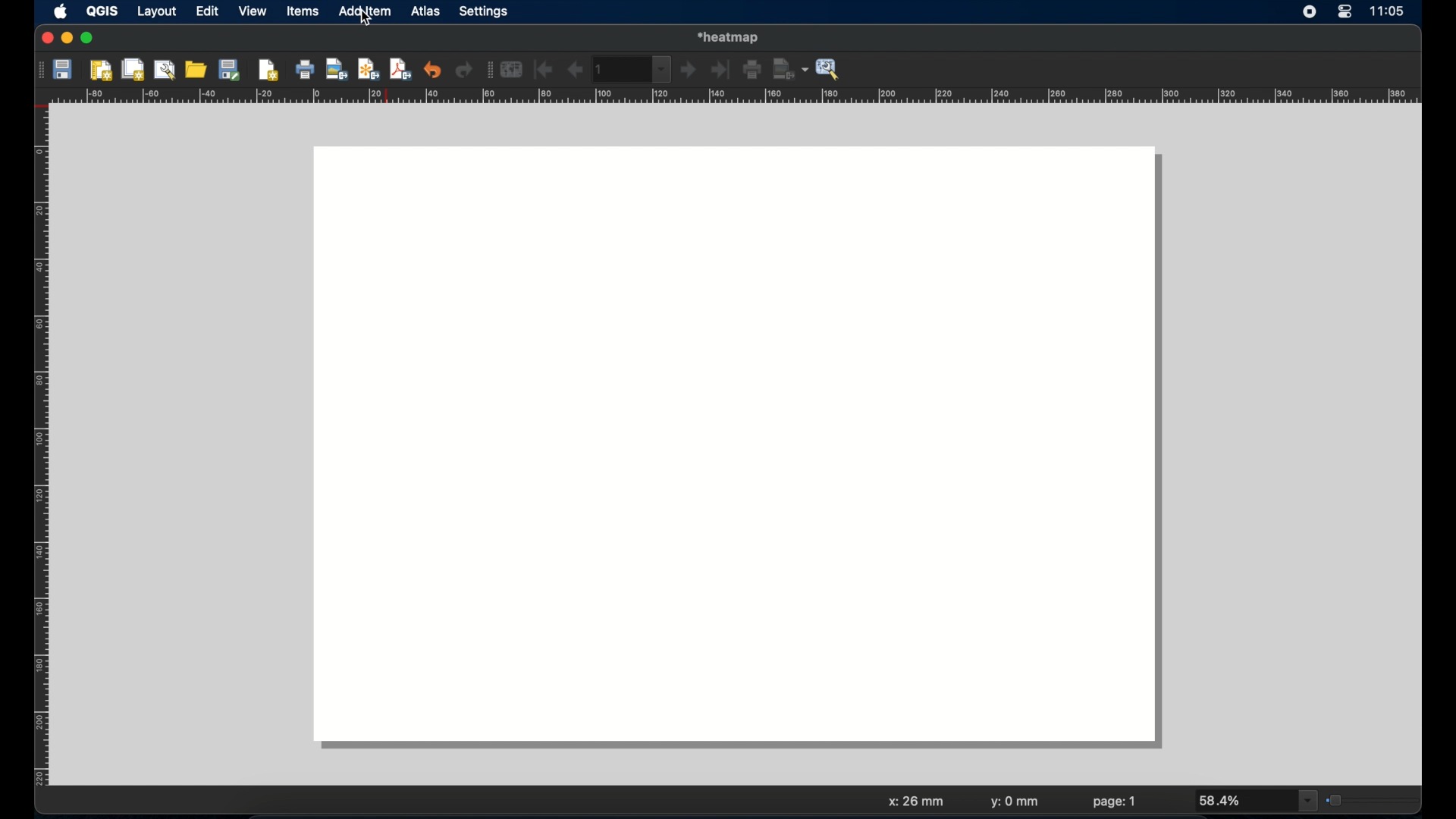 This screenshot has width=1456, height=819. What do you see at coordinates (268, 71) in the screenshot?
I see `add pages` at bounding box center [268, 71].